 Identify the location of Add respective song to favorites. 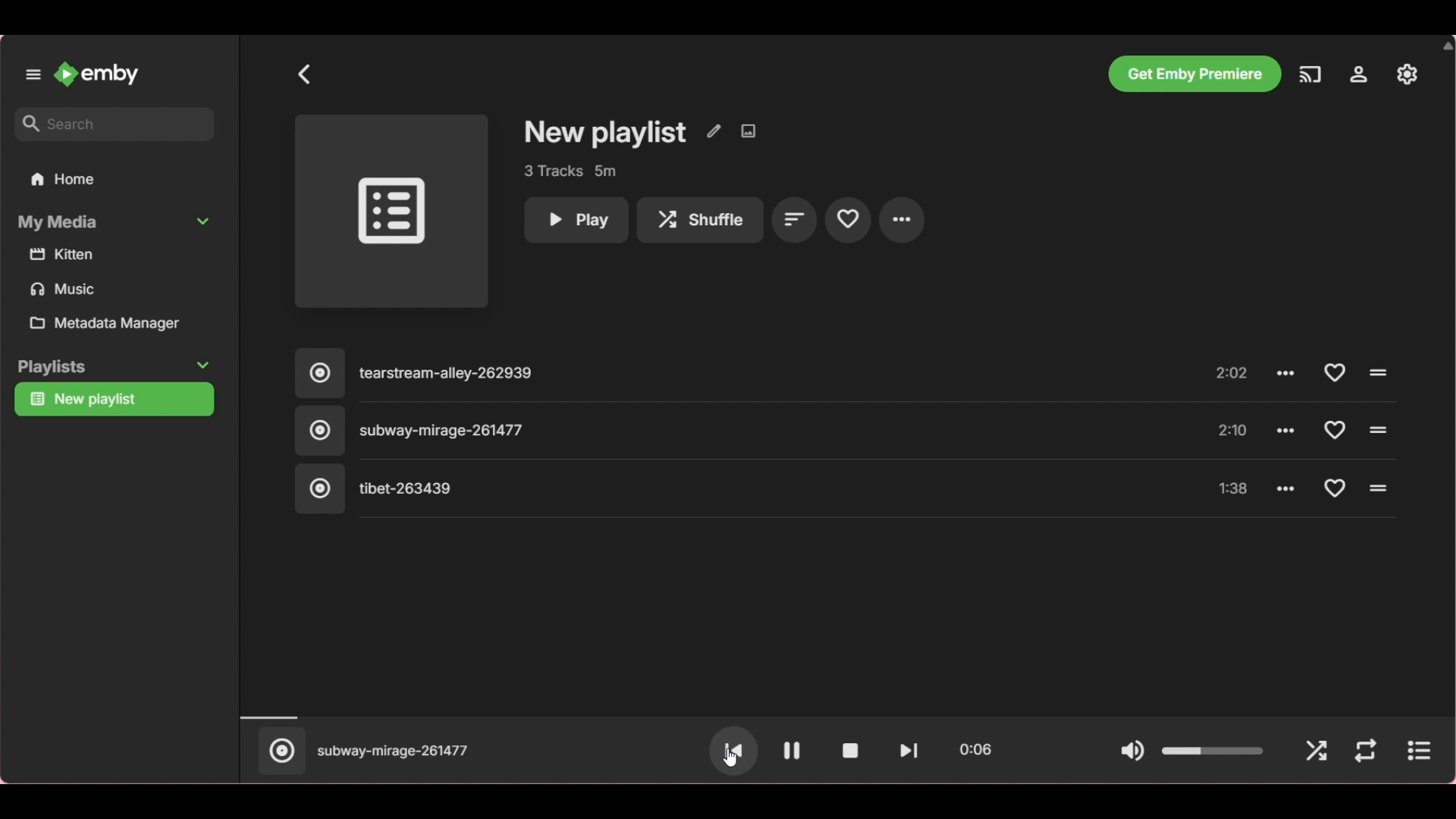
(1333, 429).